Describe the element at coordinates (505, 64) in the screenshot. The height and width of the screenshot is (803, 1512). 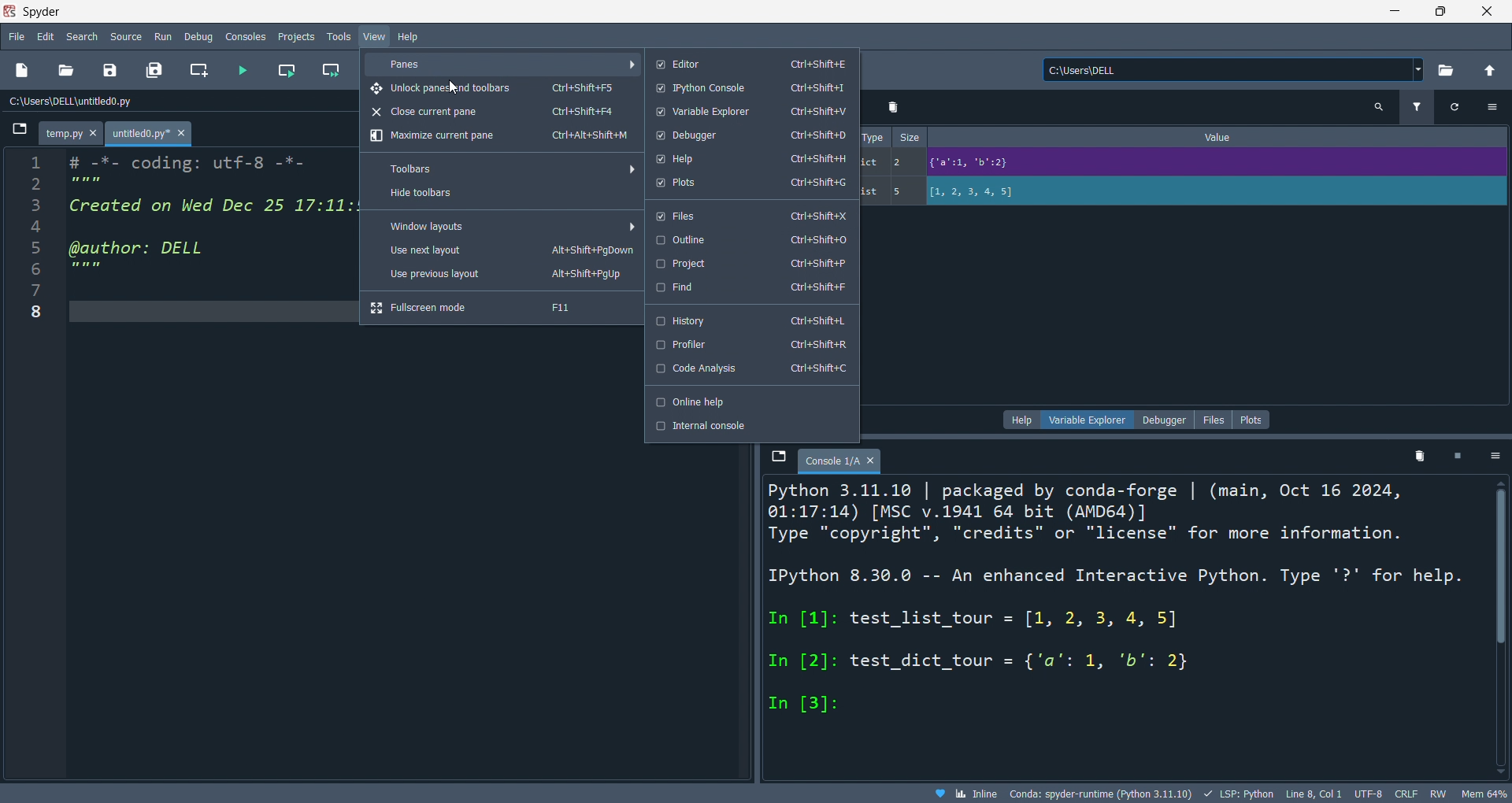
I see `panes` at that location.